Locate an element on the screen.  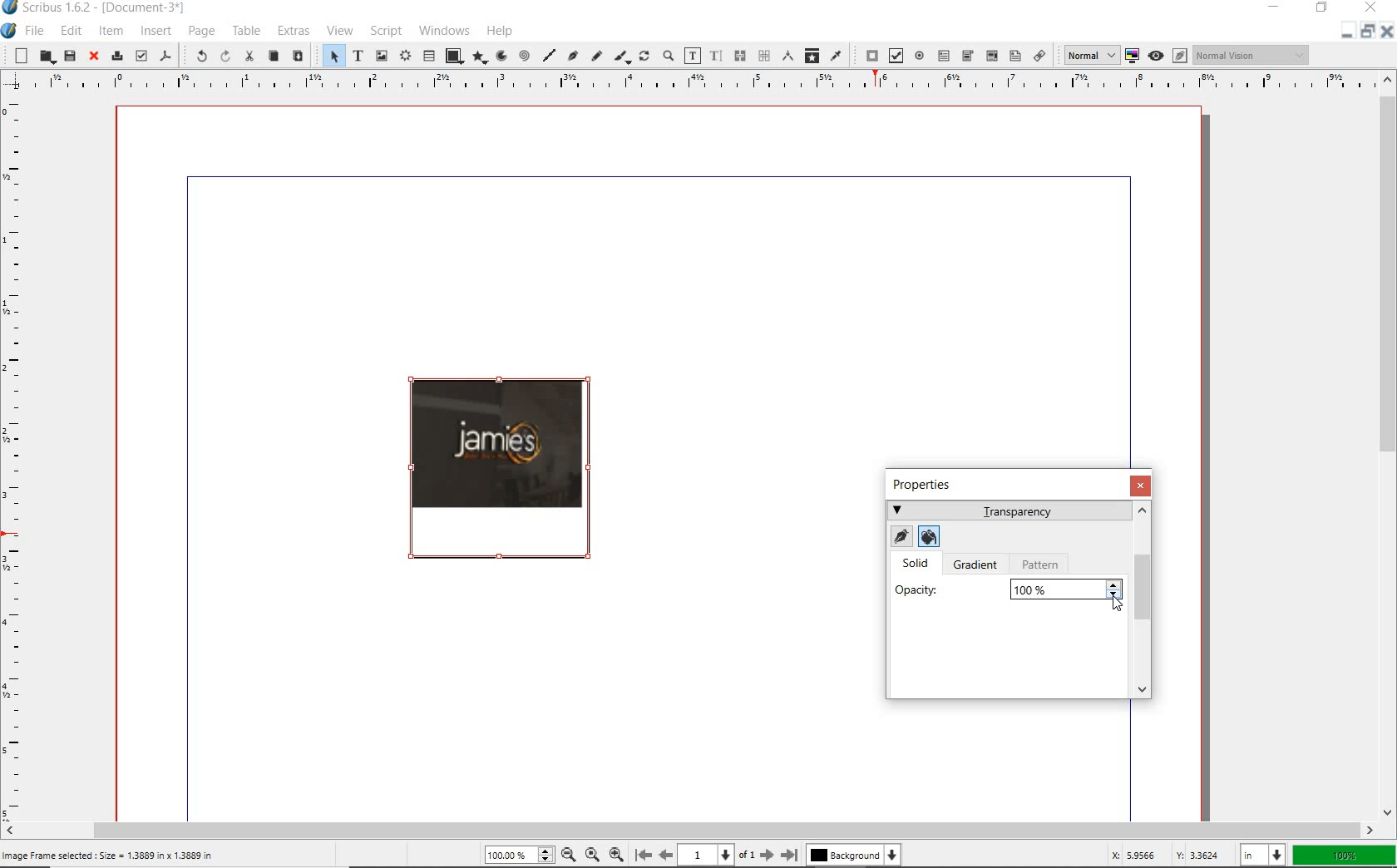
previous is located at coordinates (667, 856).